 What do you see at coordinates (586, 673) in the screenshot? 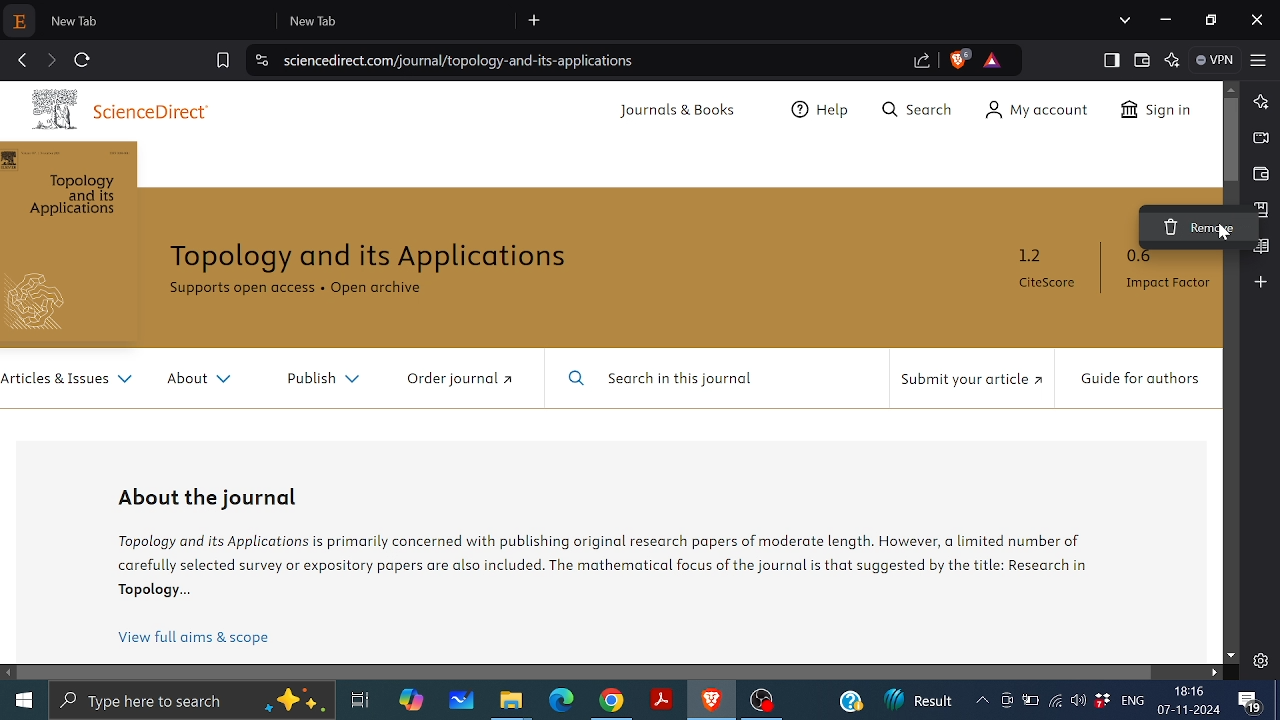
I see `horizontal scrollbar` at bounding box center [586, 673].